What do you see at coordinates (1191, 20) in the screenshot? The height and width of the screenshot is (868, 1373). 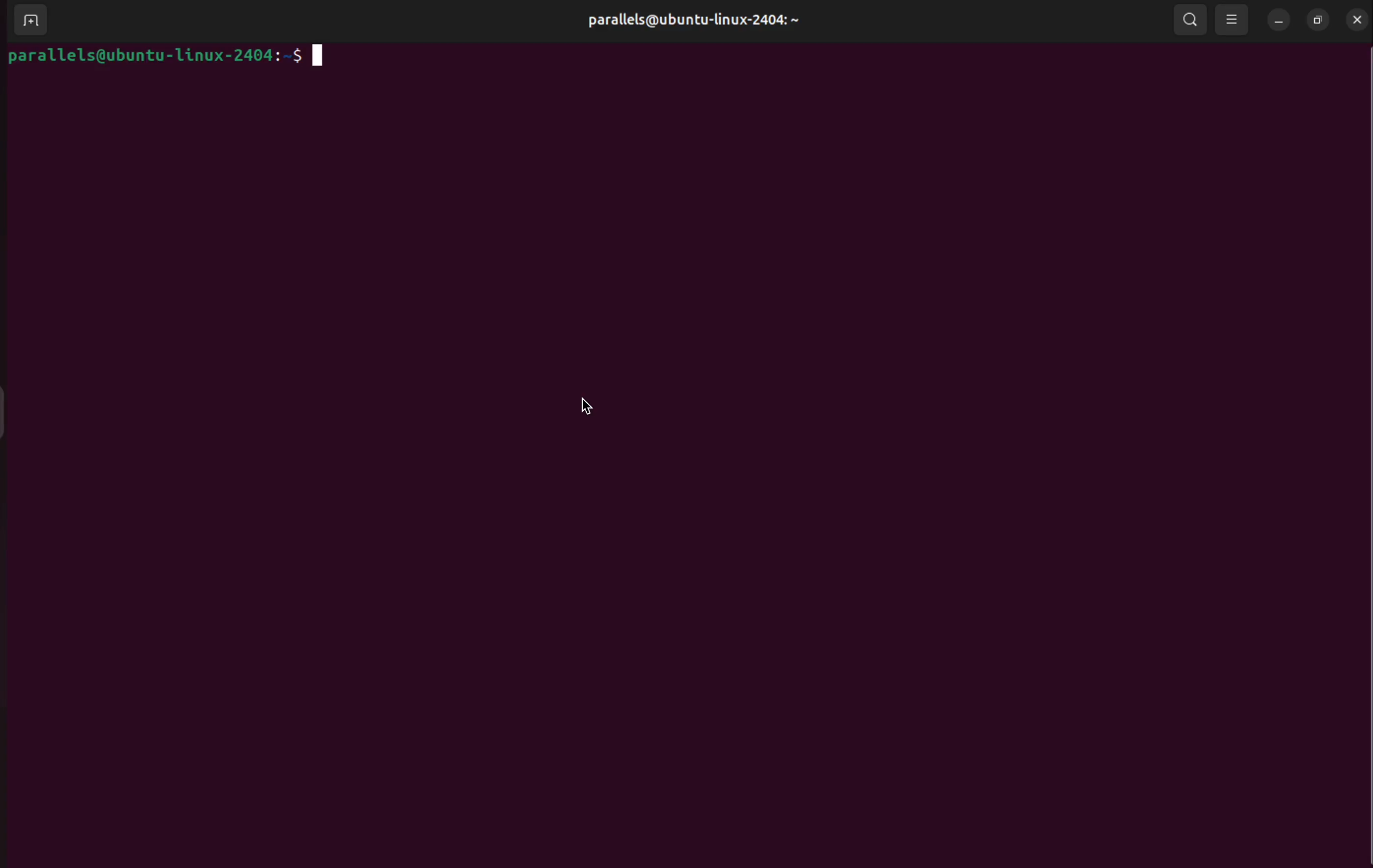 I see `search` at bounding box center [1191, 20].